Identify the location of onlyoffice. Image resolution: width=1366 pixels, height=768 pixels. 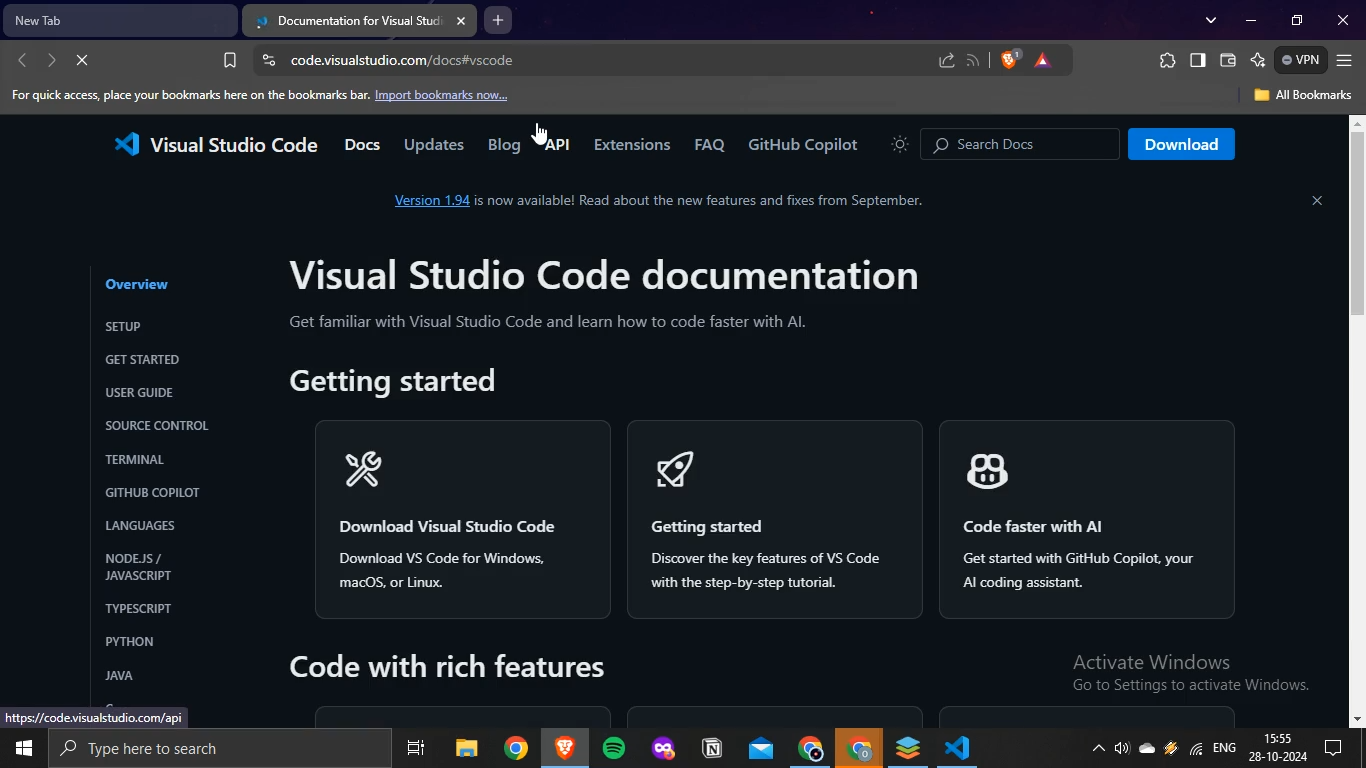
(906, 747).